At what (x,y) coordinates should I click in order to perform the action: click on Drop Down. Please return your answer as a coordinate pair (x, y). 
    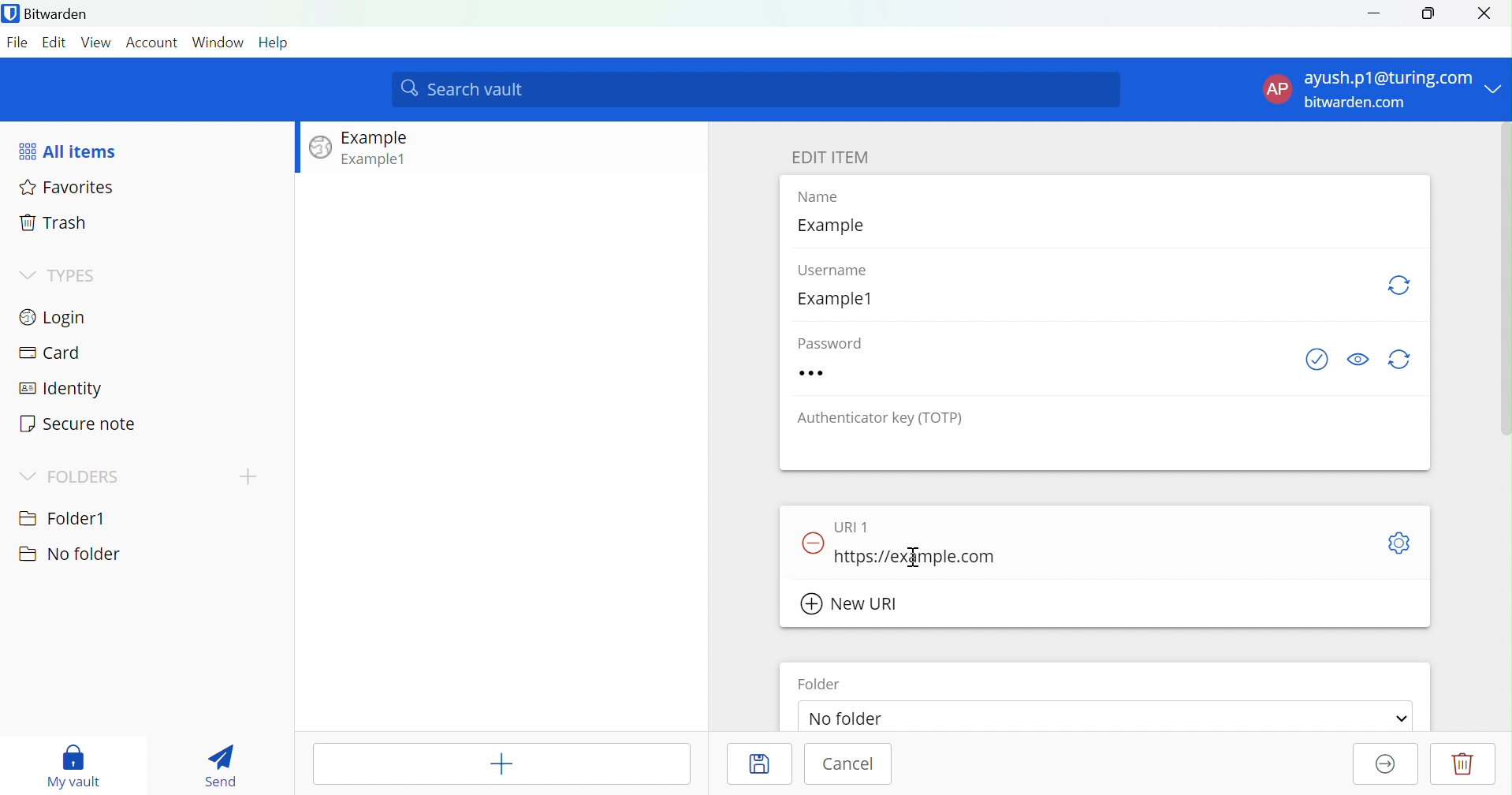
    Looking at the image, I should click on (1496, 84).